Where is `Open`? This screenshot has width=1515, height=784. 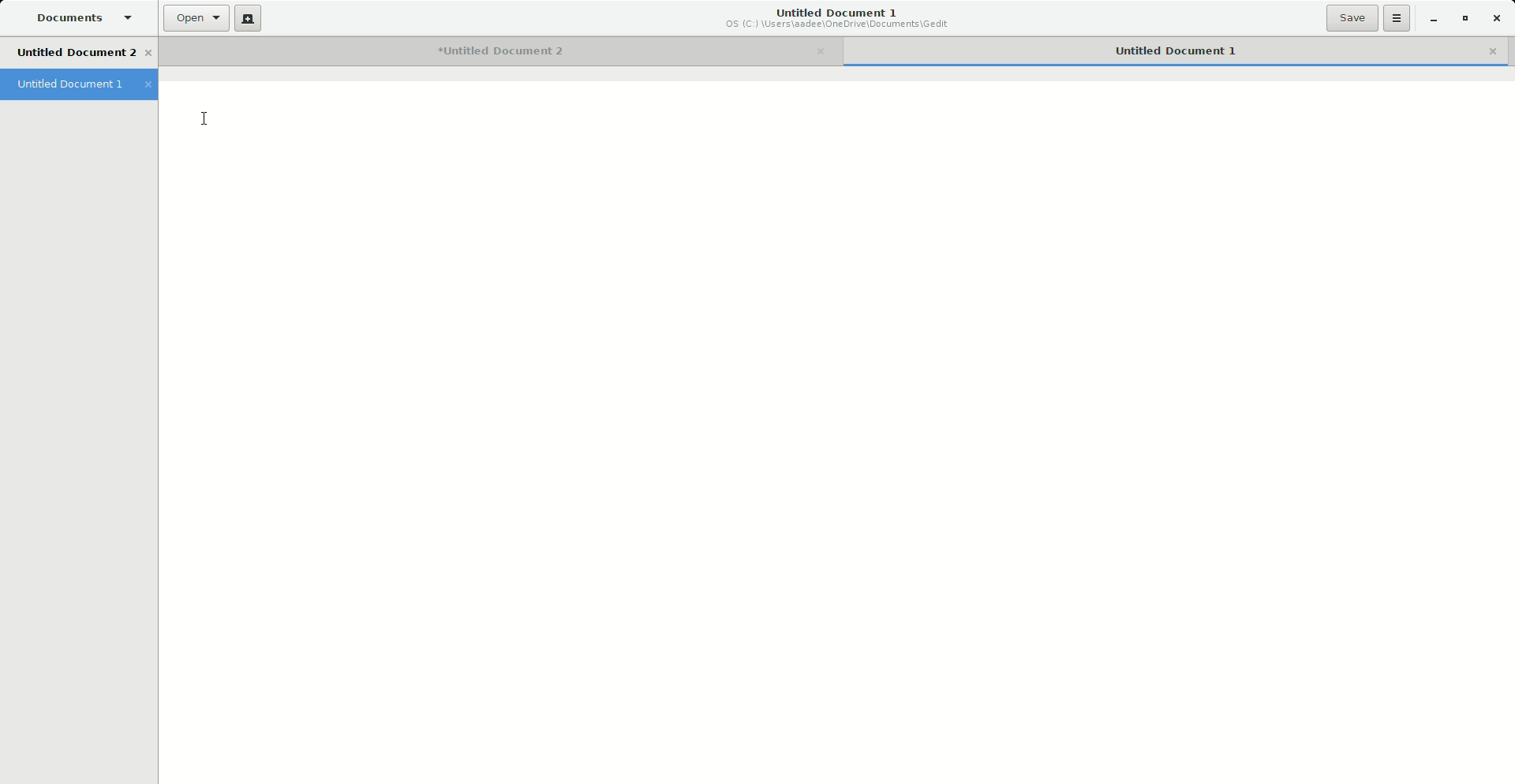
Open is located at coordinates (196, 19).